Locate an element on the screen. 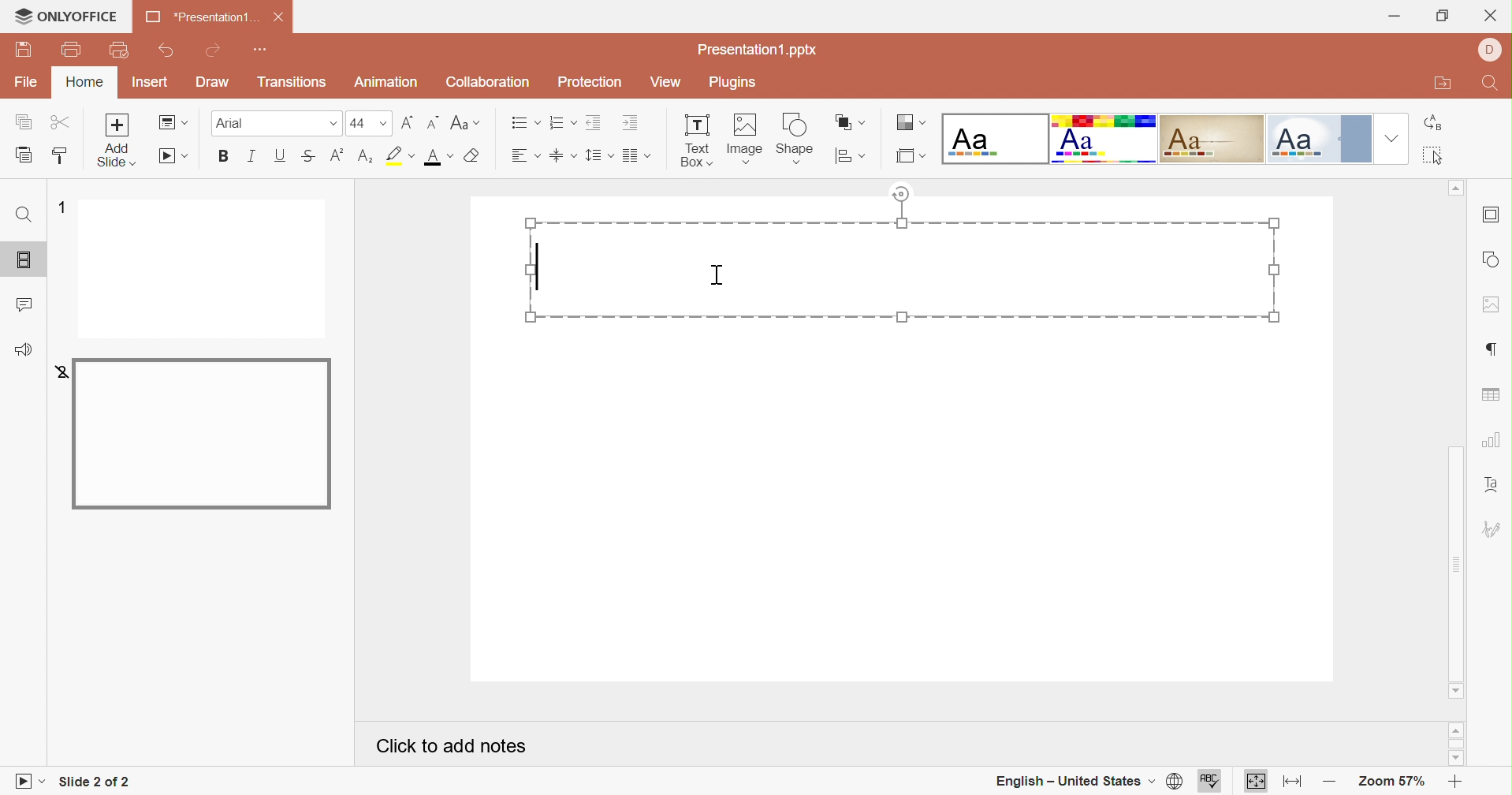  Scroll up is located at coordinates (1456, 730).